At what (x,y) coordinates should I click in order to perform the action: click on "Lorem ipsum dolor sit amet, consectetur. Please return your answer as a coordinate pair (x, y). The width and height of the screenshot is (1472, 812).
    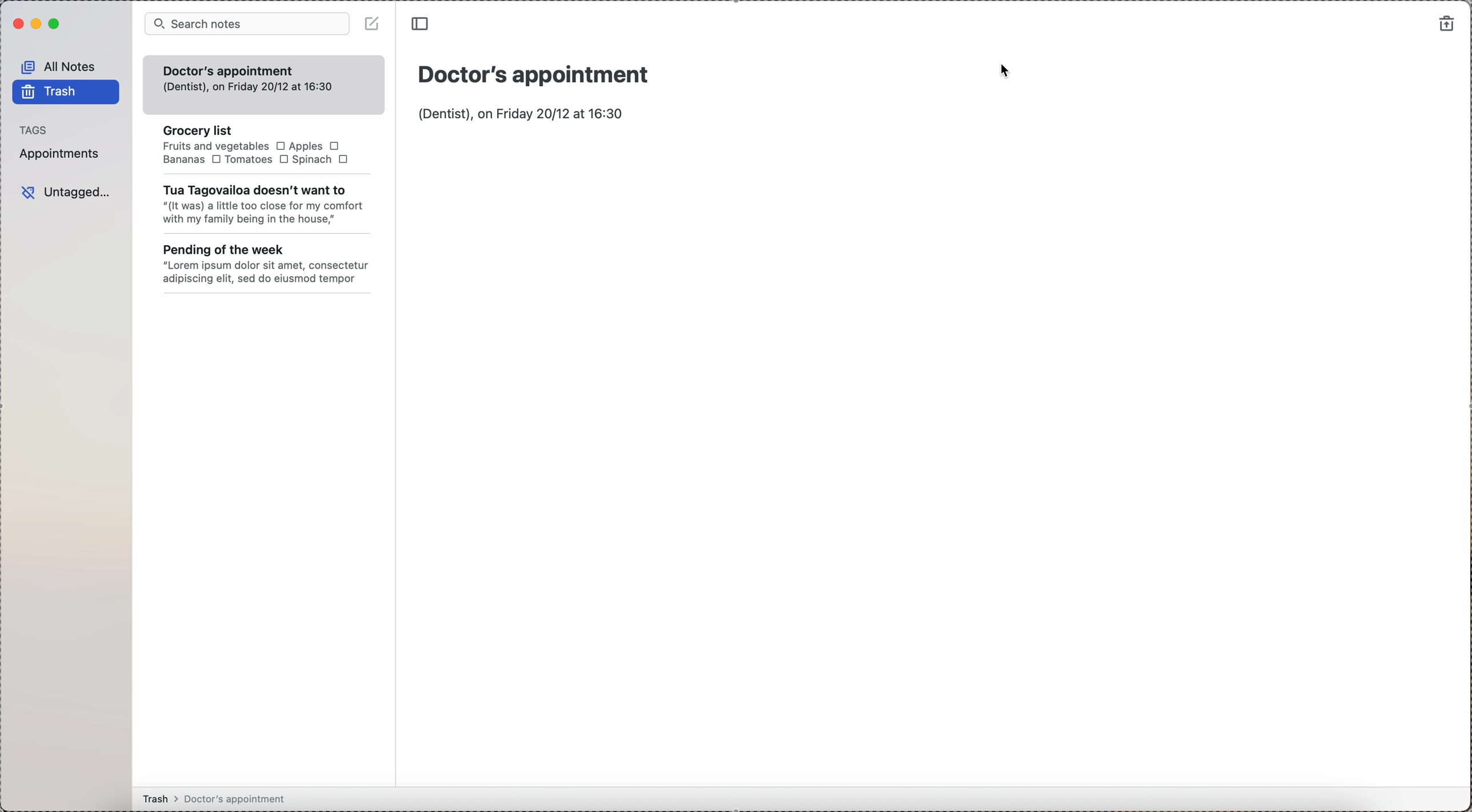
    Looking at the image, I should click on (269, 265).